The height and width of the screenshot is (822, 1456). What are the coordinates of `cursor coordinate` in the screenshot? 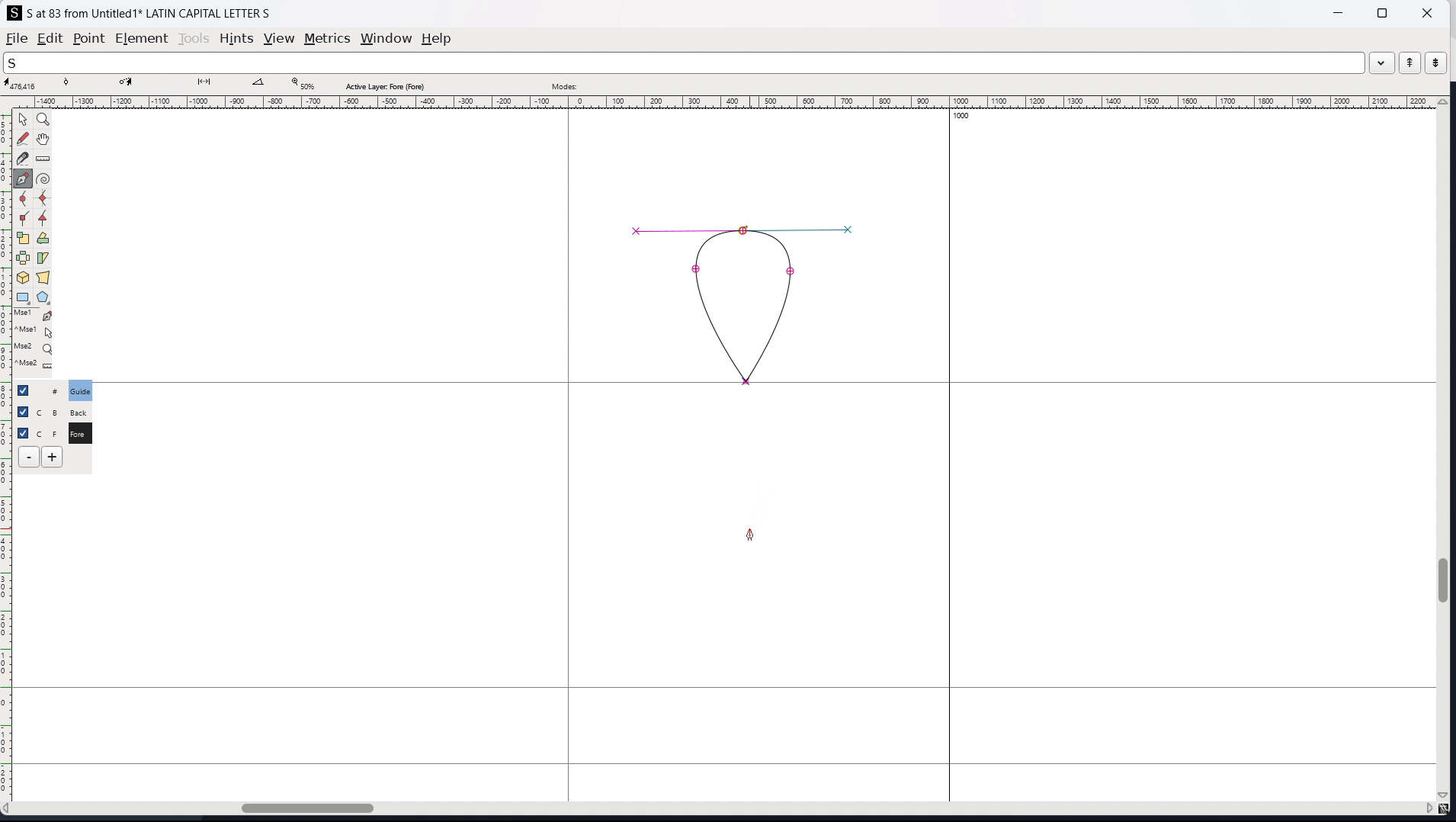 It's located at (25, 85).